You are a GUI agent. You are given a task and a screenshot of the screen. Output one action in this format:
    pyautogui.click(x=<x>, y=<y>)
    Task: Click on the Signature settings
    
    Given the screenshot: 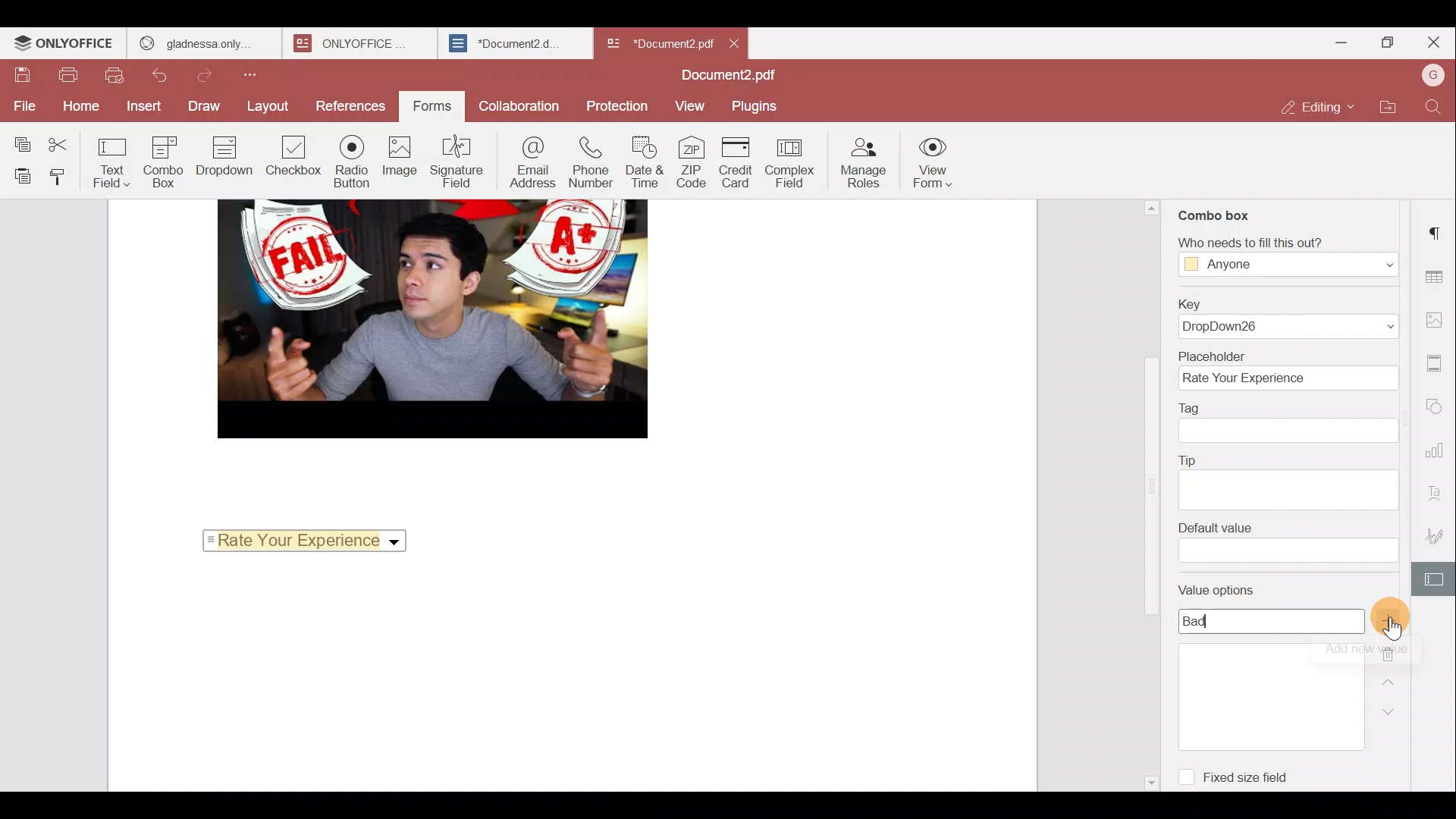 What is the action you would take?
    pyautogui.click(x=1437, y=532)
    